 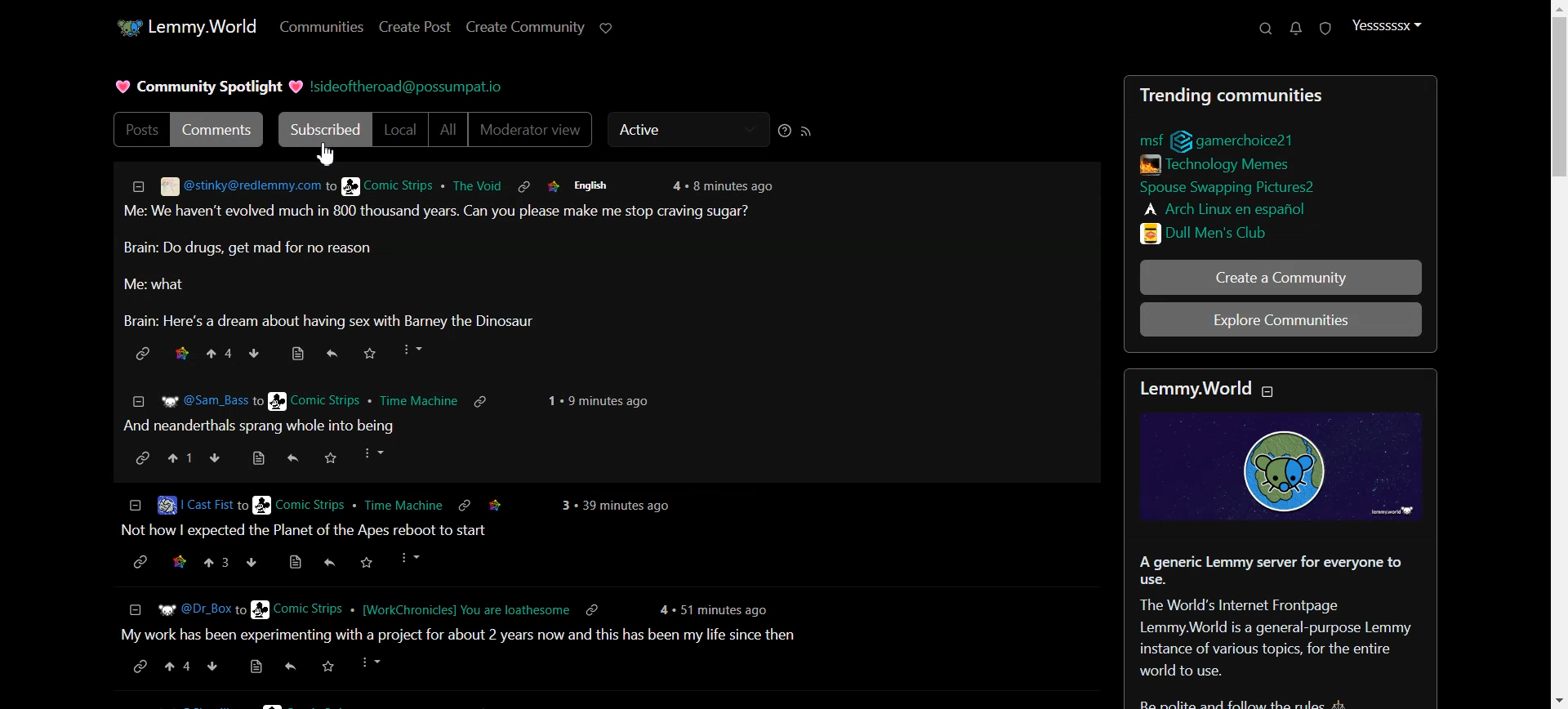 I want to click on Hyperlink, so click(x=412, y=87).